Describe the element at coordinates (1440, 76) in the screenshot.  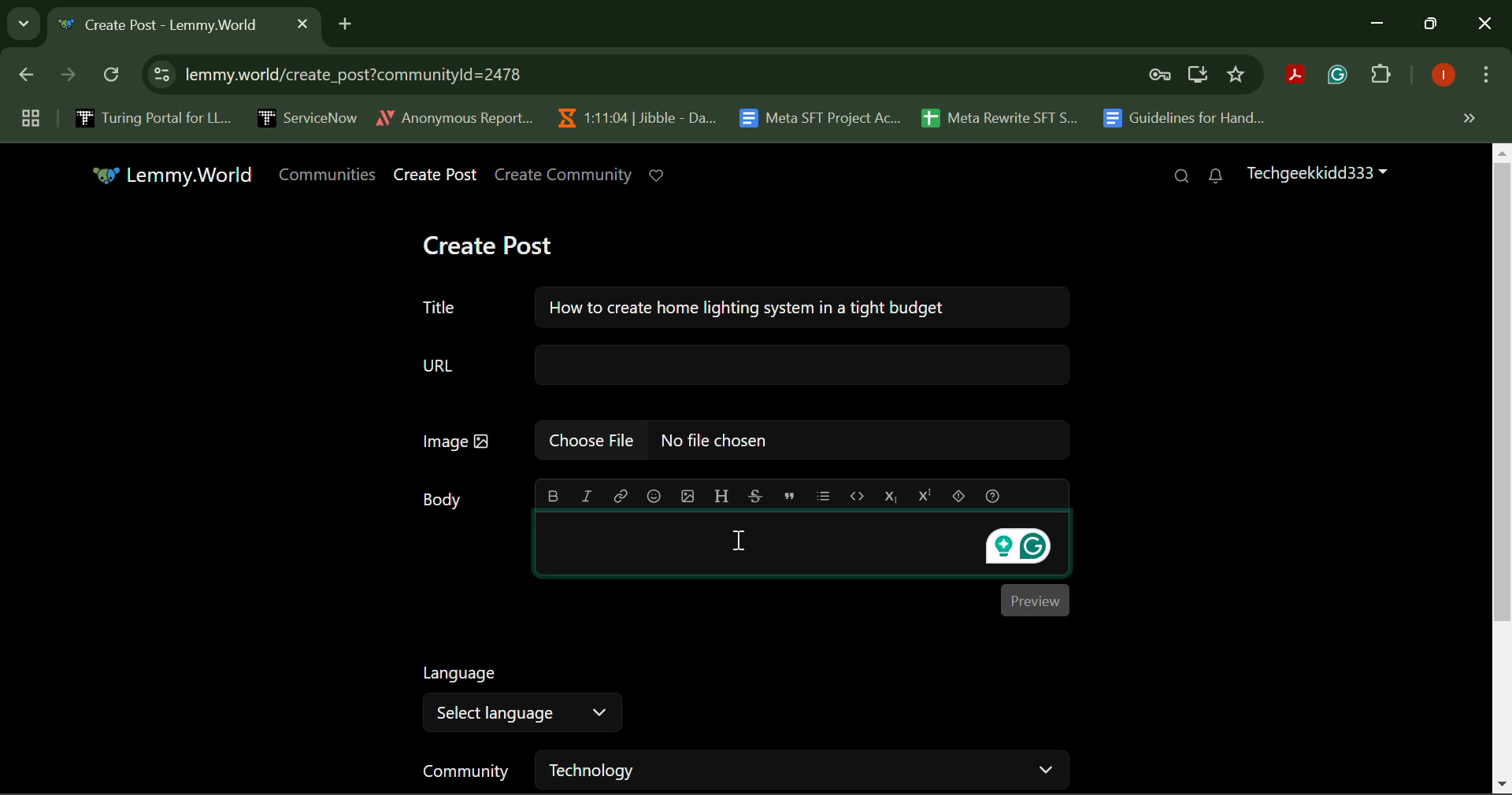
I see `Logged In User` at that location.